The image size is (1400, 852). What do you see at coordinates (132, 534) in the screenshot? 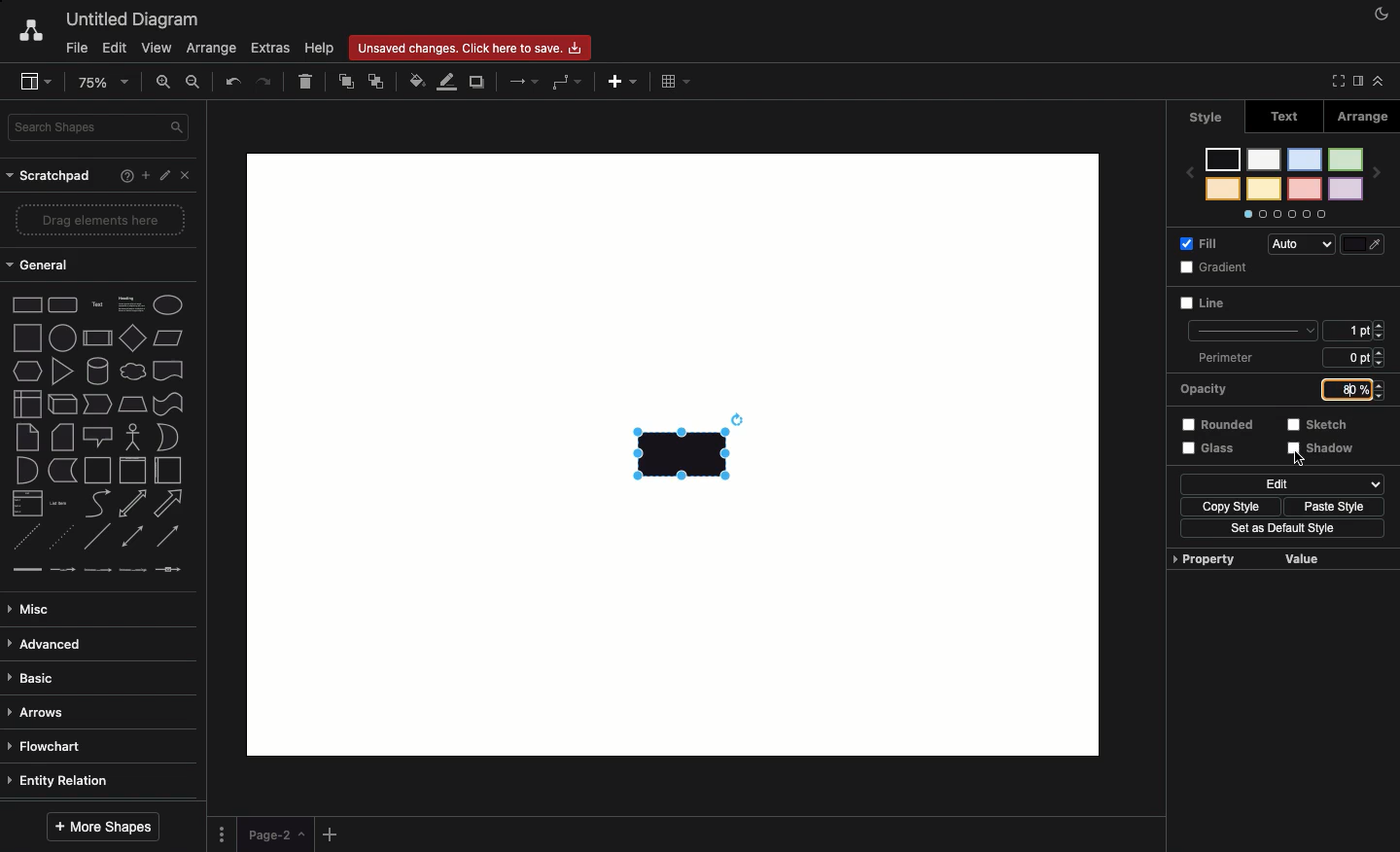
I see `bidirectional connector` at bounding box center [132, 534].